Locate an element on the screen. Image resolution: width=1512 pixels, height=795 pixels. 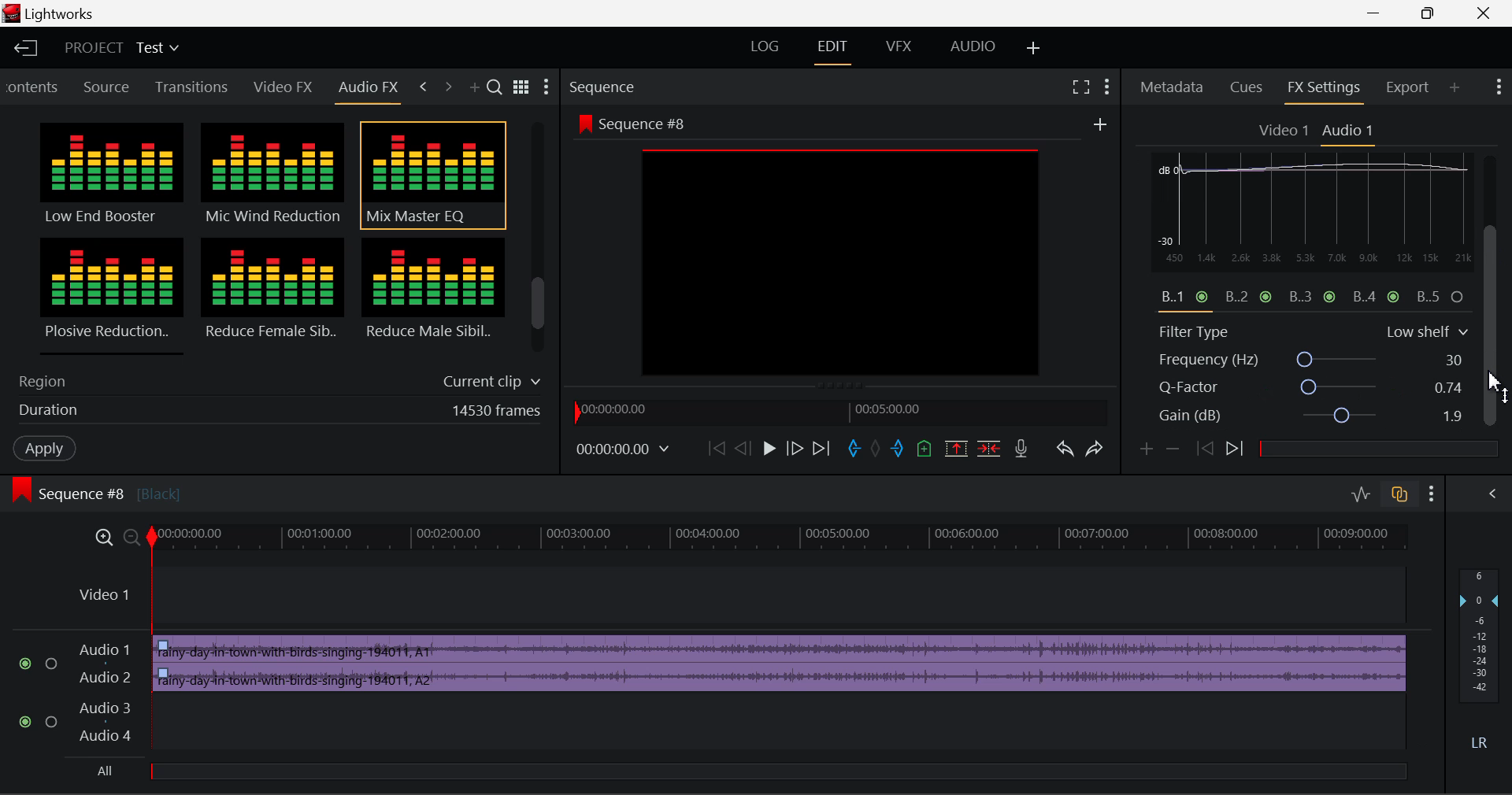
Close is located at coordinates (1476, 13).